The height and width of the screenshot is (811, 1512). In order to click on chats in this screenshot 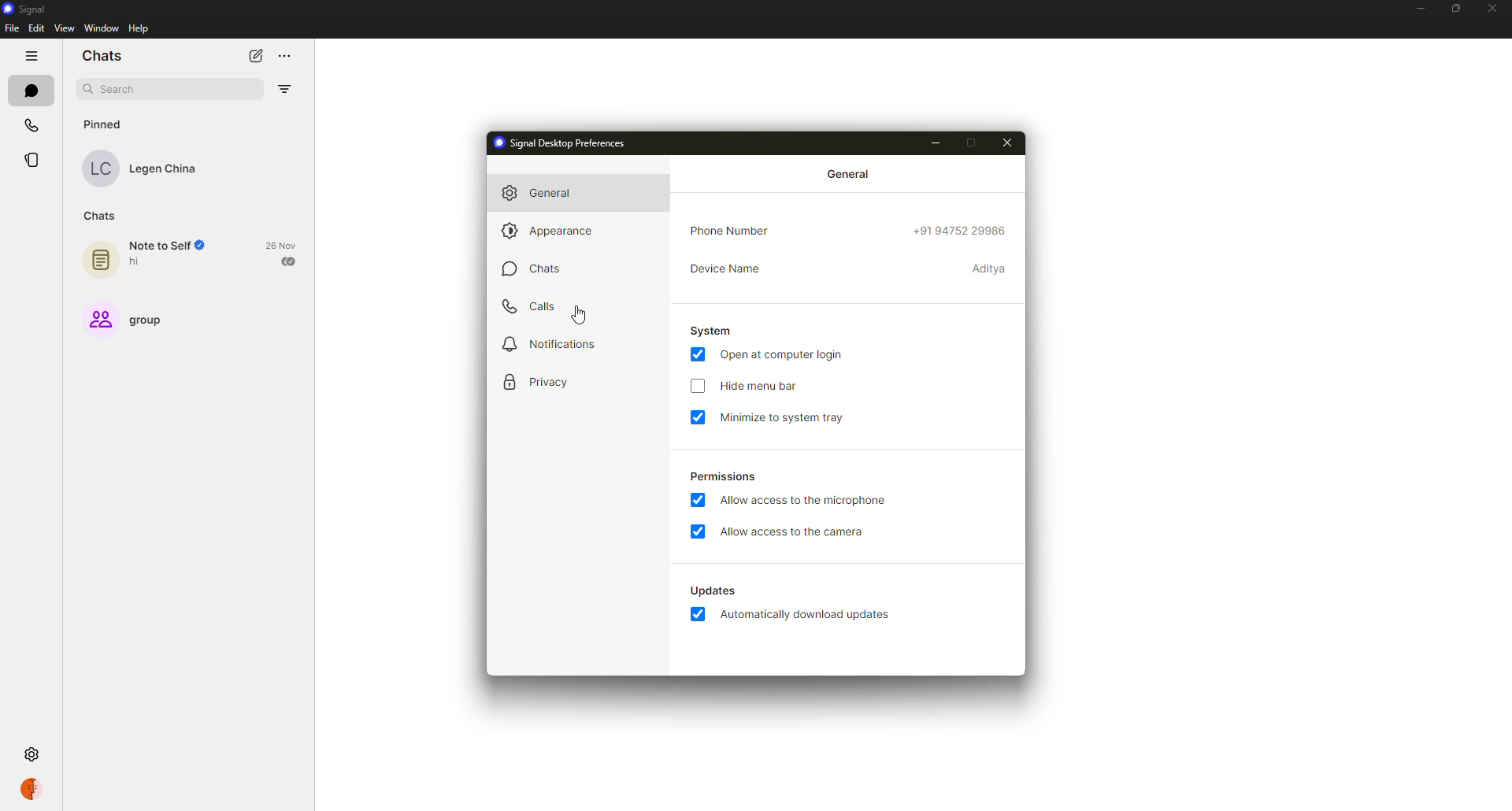, I will do `click(106, 54)`.